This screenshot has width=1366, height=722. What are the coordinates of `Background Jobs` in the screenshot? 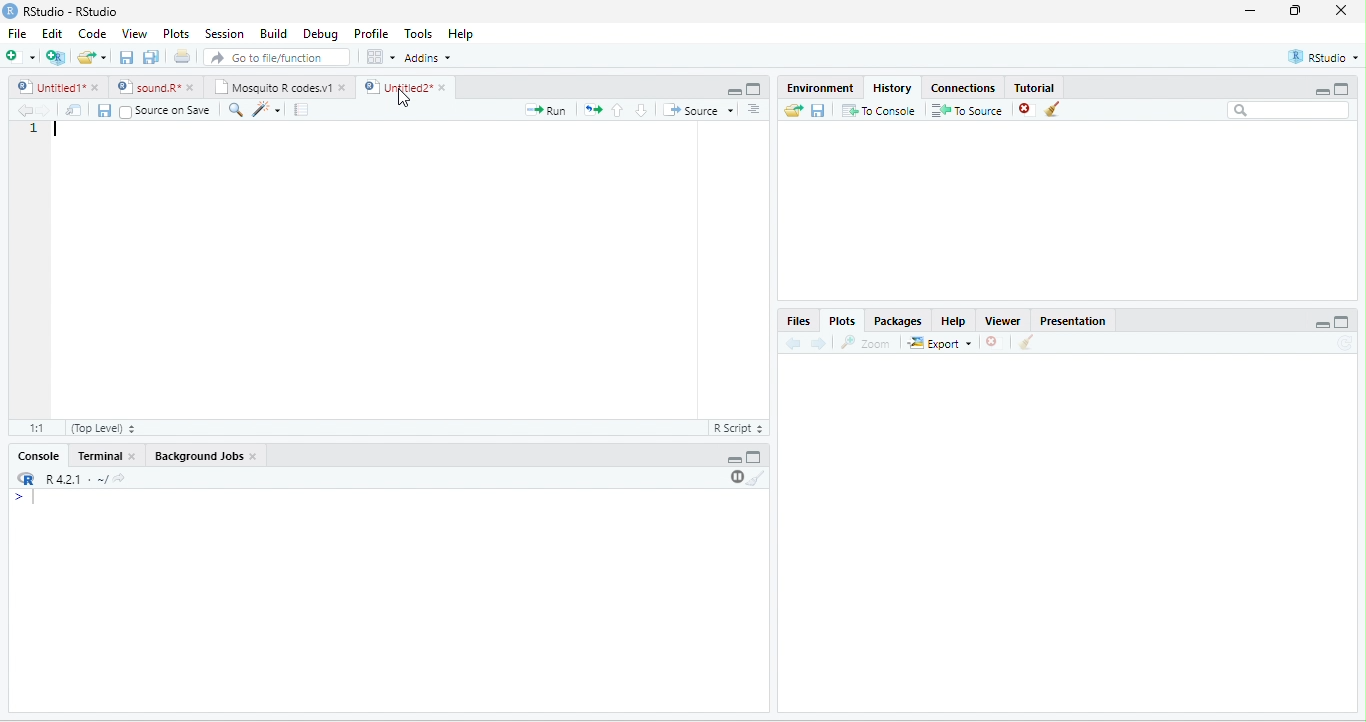 It's located at (197, 456).